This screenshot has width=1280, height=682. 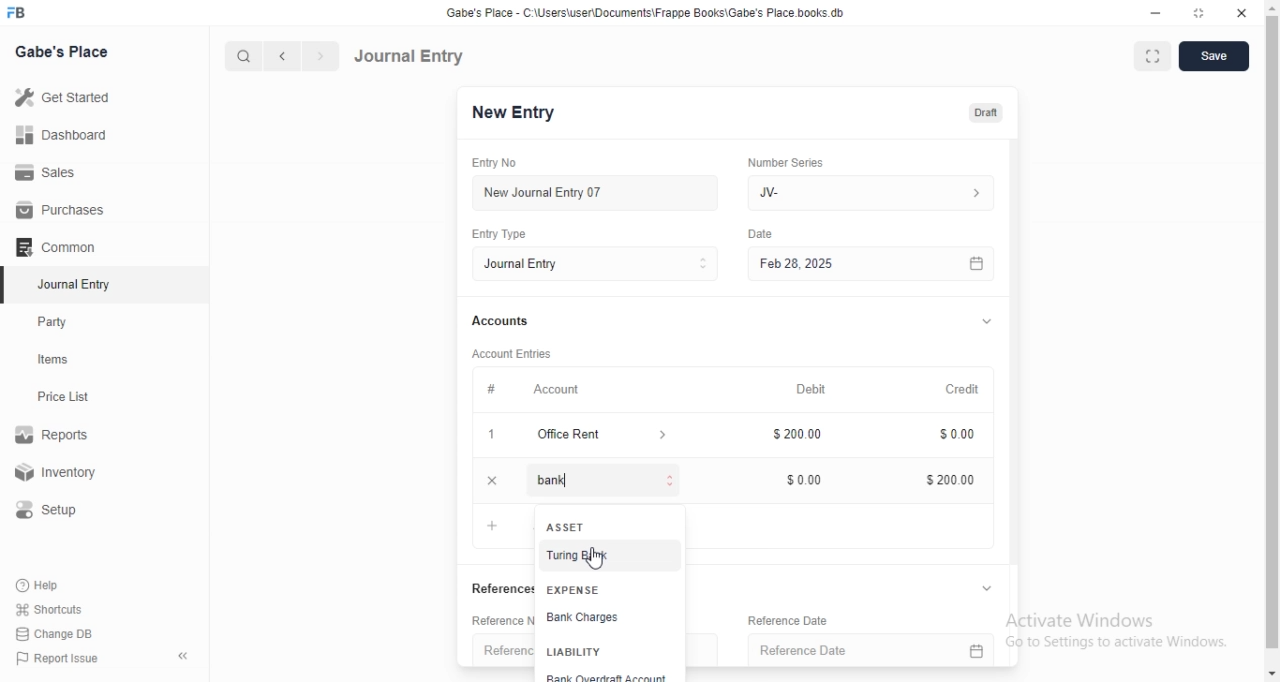 What do you see at coordinates (49, 247) in the screenshot?
I see `Comman` at bounding box center [49, 247].